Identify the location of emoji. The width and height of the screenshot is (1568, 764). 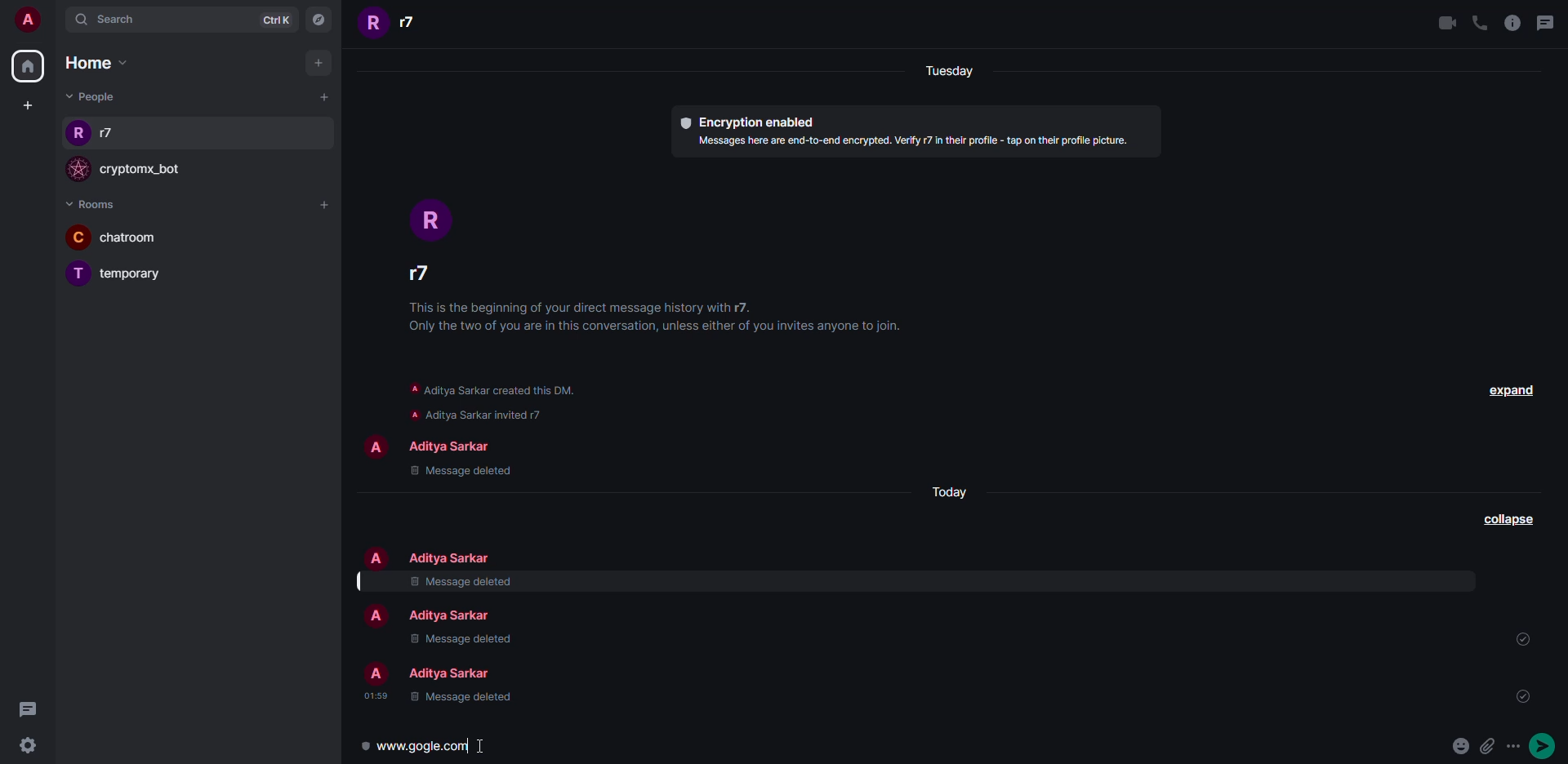
(1459, 745).